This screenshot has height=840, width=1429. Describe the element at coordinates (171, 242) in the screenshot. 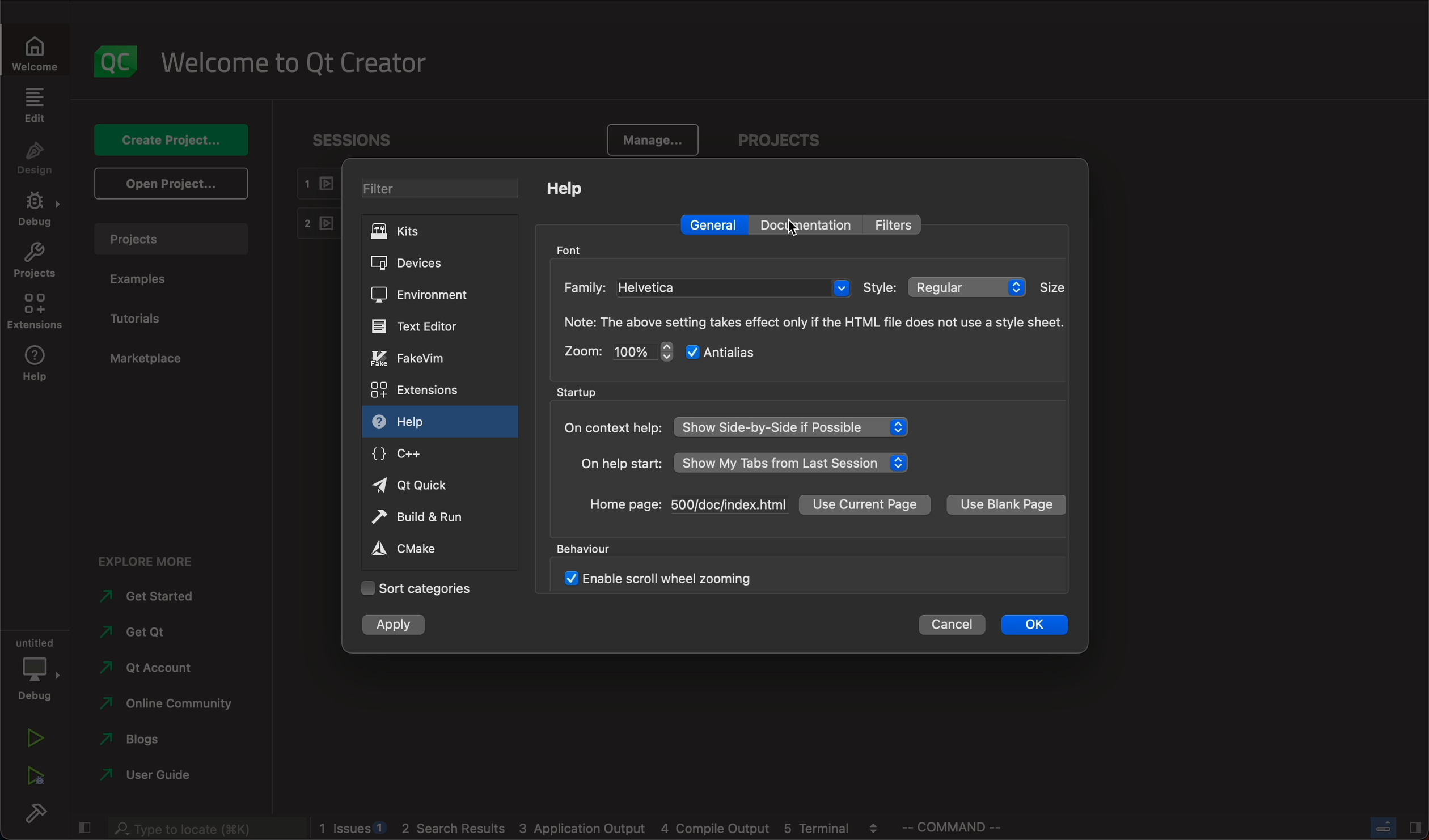

I see `projects` at that location.